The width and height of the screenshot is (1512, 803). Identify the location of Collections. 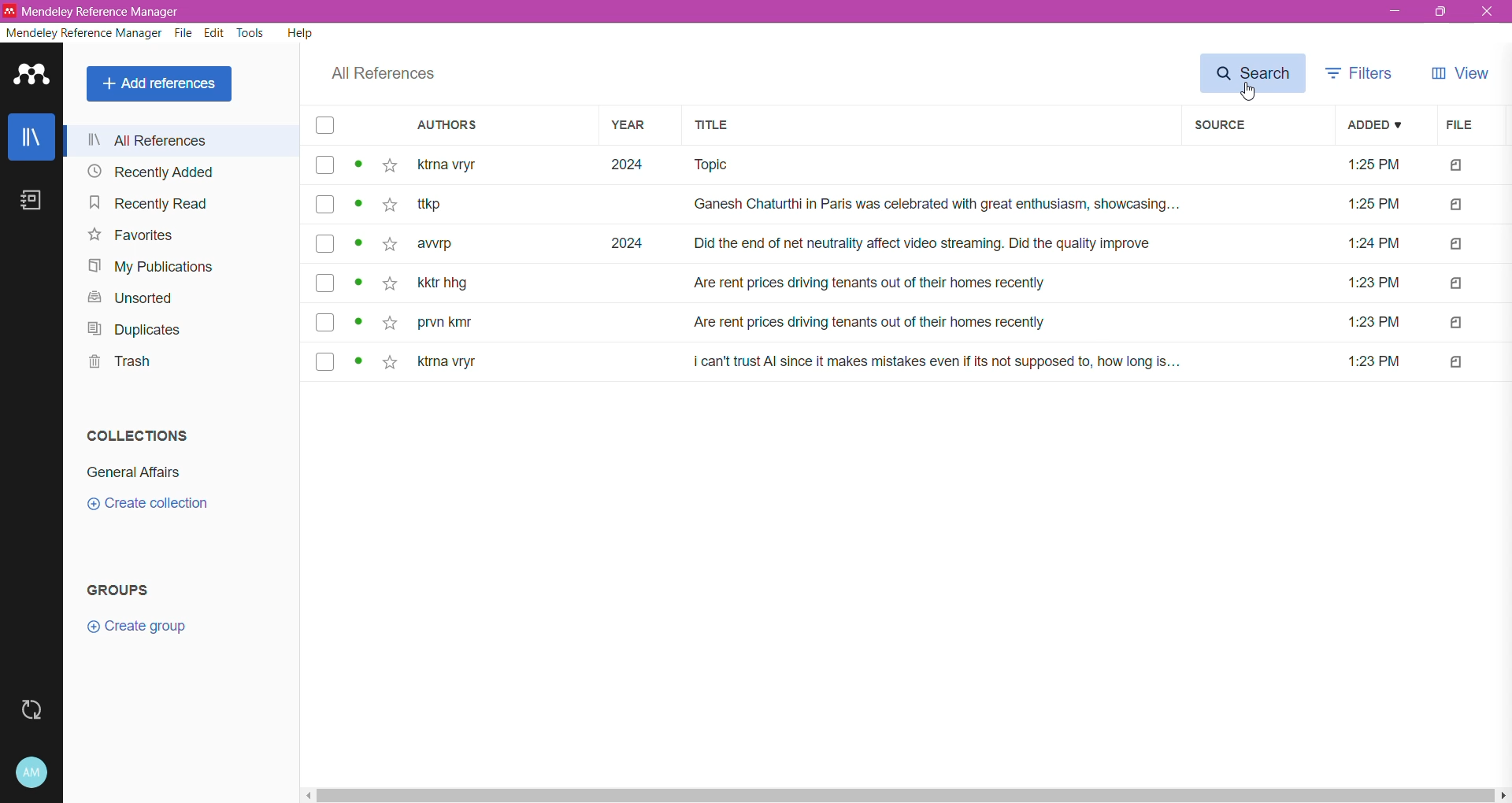
(144, 435).